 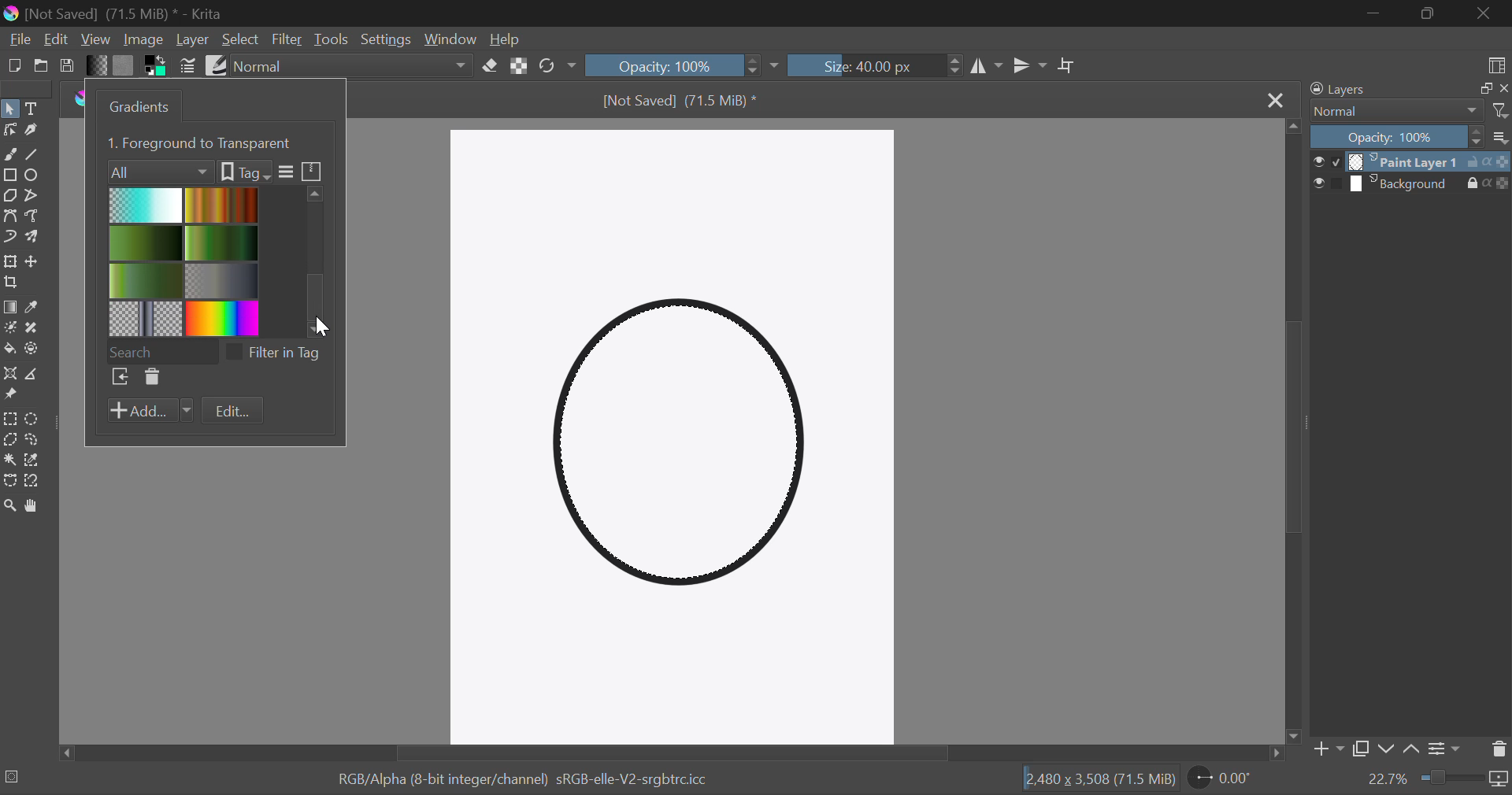 I want to click on Brush Presets, so click(x=219, y=67).